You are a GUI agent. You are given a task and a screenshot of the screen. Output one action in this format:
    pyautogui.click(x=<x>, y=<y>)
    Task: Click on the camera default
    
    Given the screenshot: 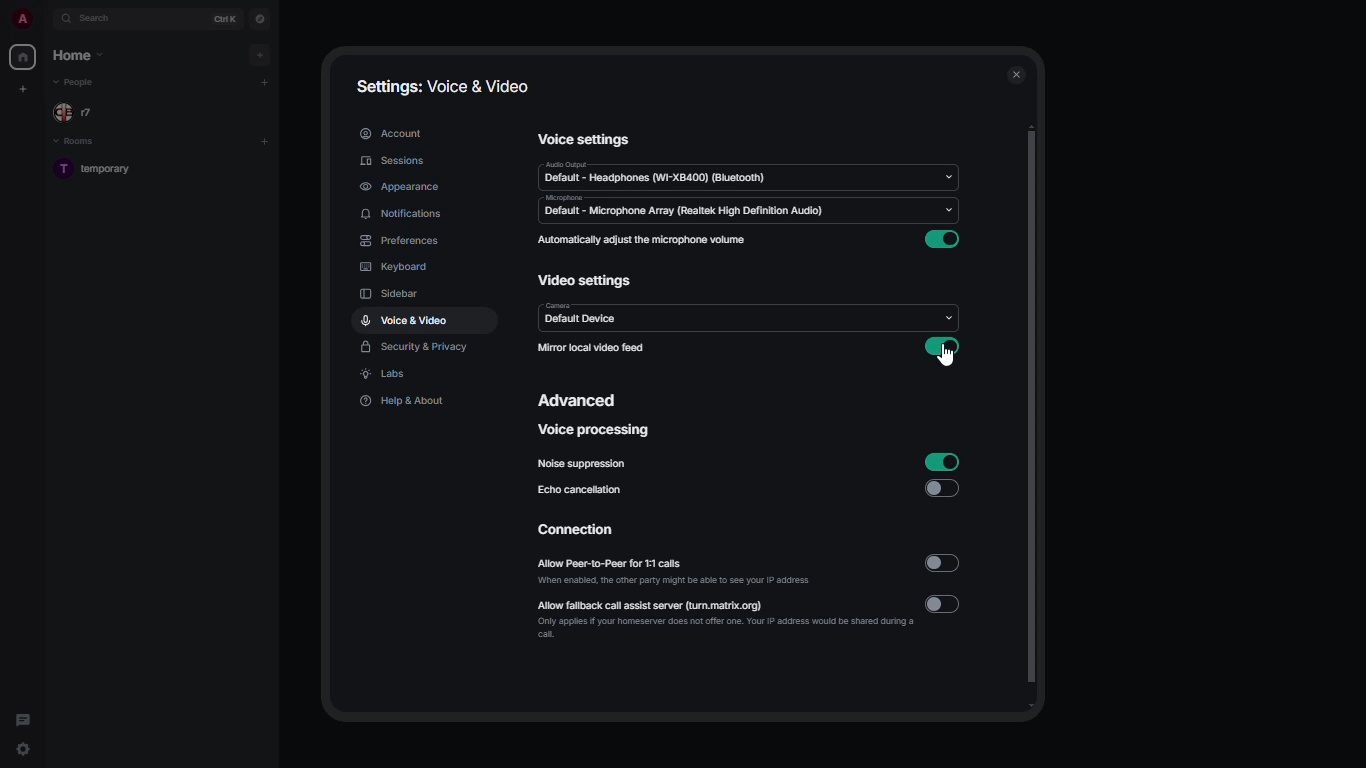 What is the action you would take?
    pyautogui.click(x=584, y=314)
    